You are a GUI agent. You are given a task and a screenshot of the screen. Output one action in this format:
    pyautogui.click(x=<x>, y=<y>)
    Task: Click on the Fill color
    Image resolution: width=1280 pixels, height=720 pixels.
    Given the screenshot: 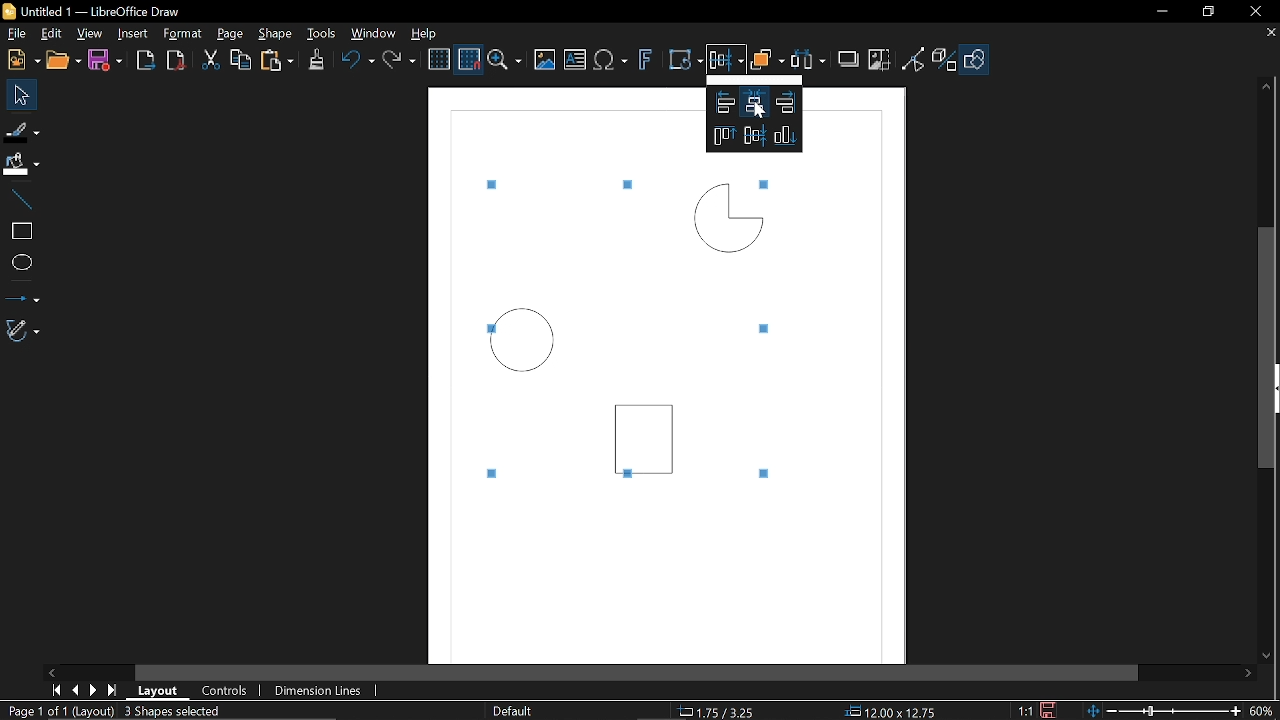 What is the action you would take?
    pyautogui.click(x=21, y=163)
    